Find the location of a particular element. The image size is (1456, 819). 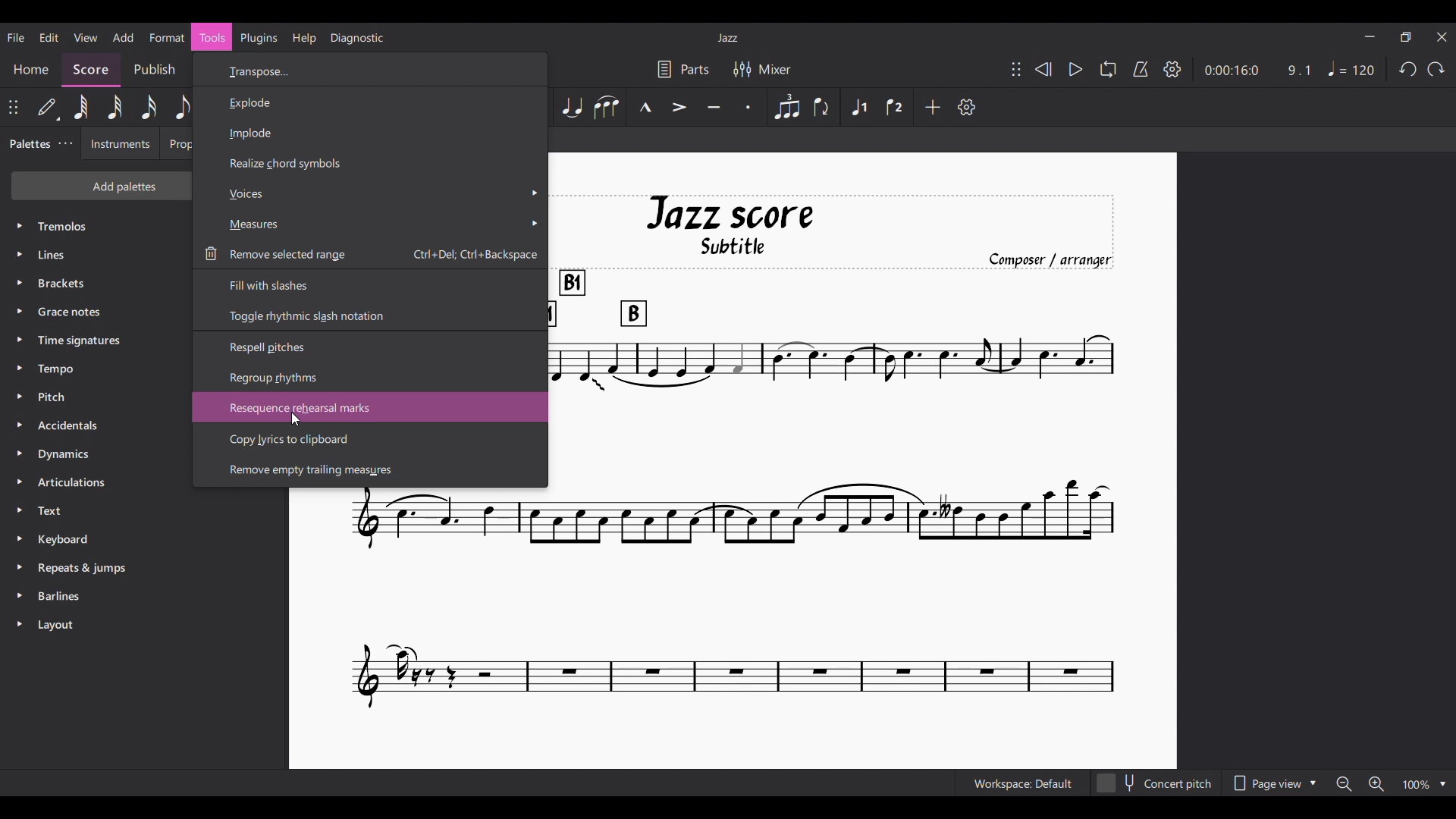

Publish section is located at coordinates (153, 70).